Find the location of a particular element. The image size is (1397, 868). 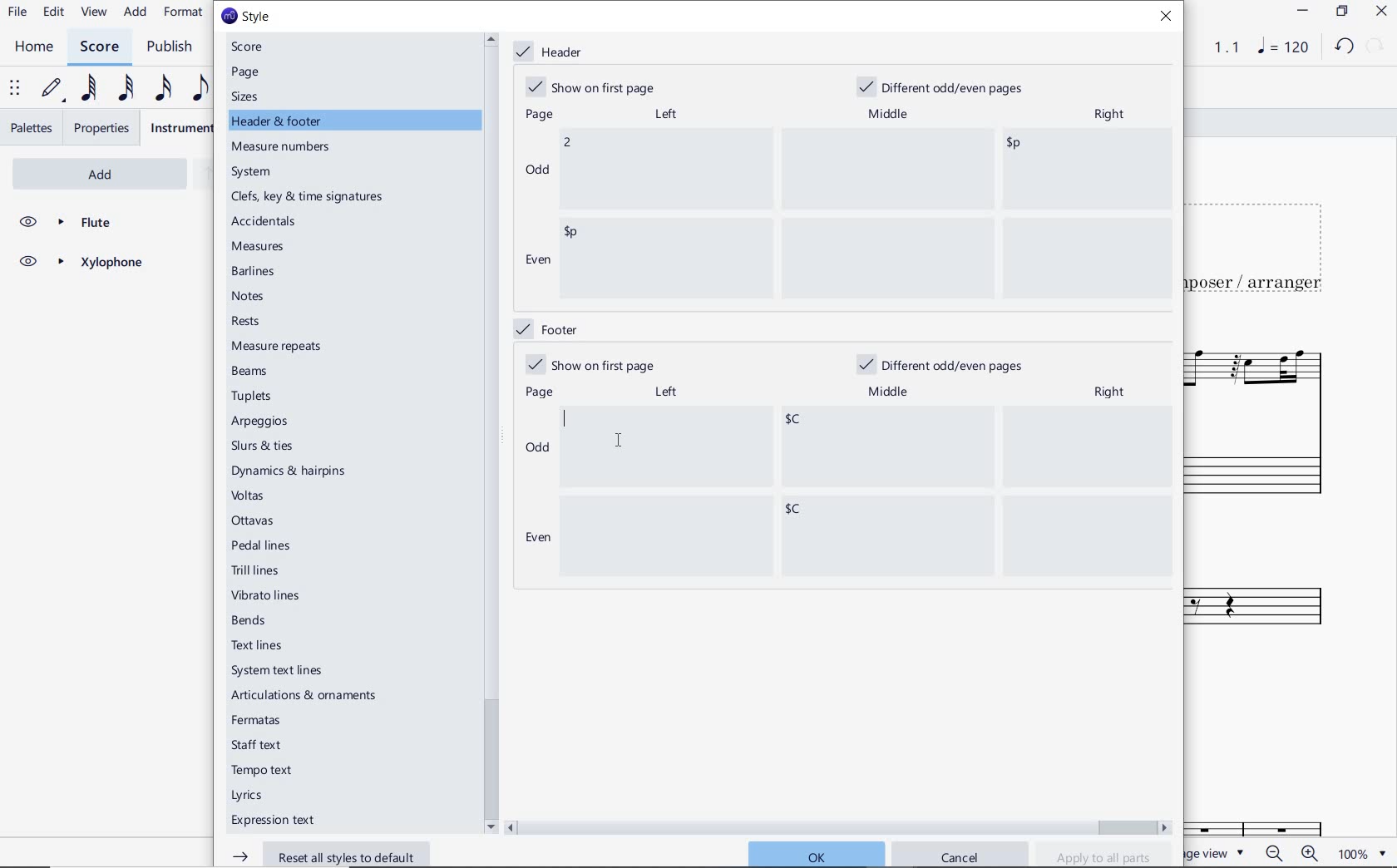

tempo text is located at coordinates (264, 772).